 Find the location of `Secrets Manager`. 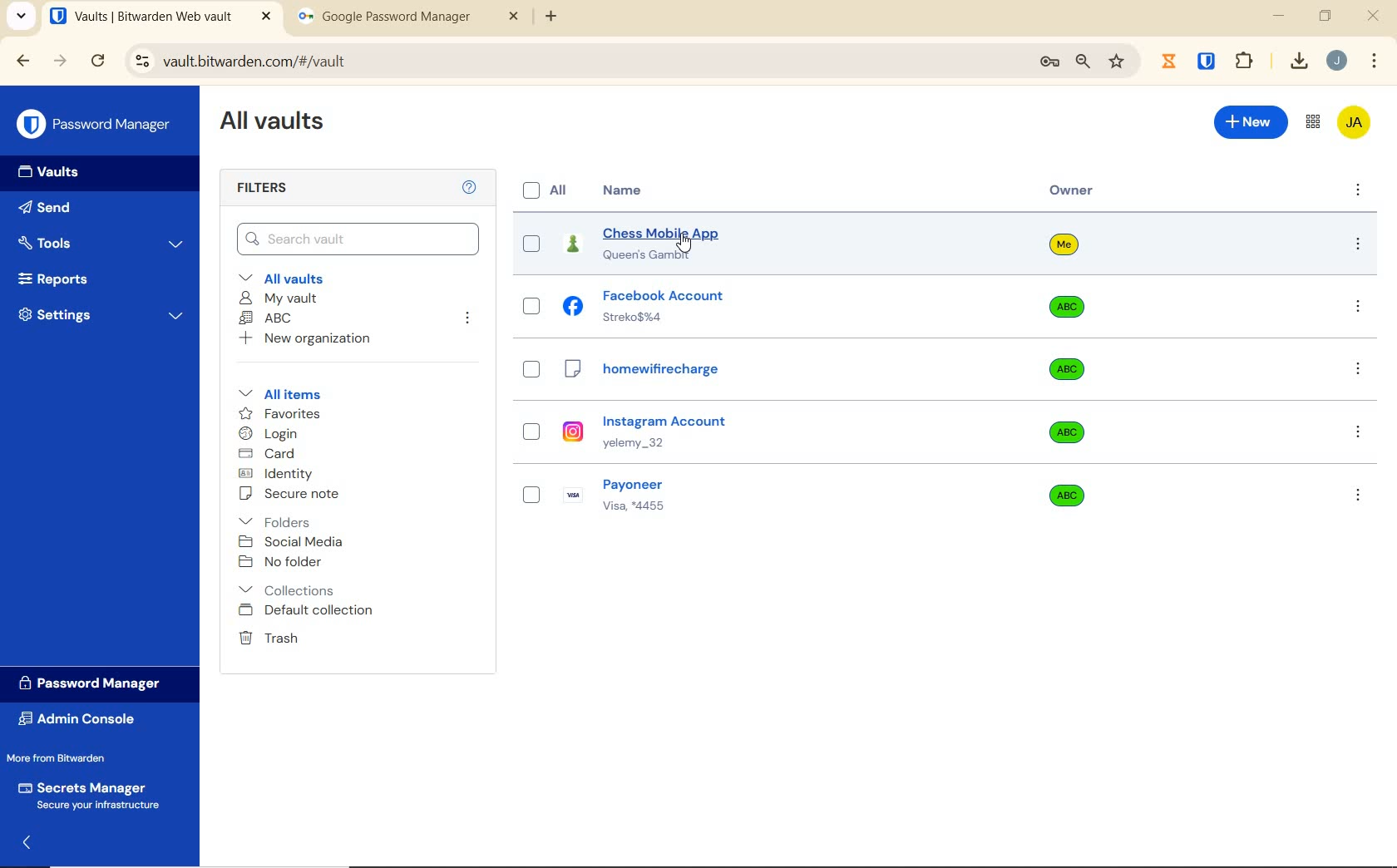

Secrets Manager is located at coordinates (100, 794).